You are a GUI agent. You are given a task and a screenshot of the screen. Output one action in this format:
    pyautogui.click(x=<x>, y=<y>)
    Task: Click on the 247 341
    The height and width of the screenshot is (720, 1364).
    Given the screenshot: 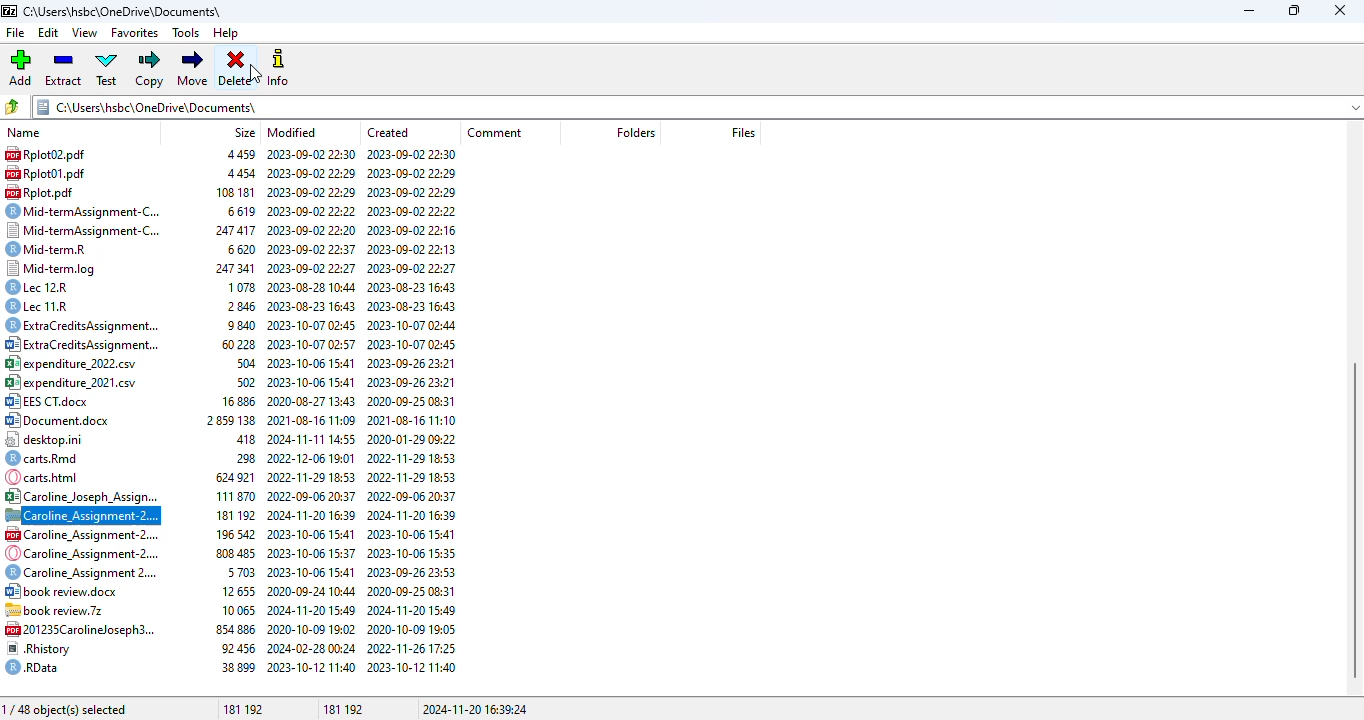 What is the action you would take?
    pyautogui.click(x=231, y=267)
    